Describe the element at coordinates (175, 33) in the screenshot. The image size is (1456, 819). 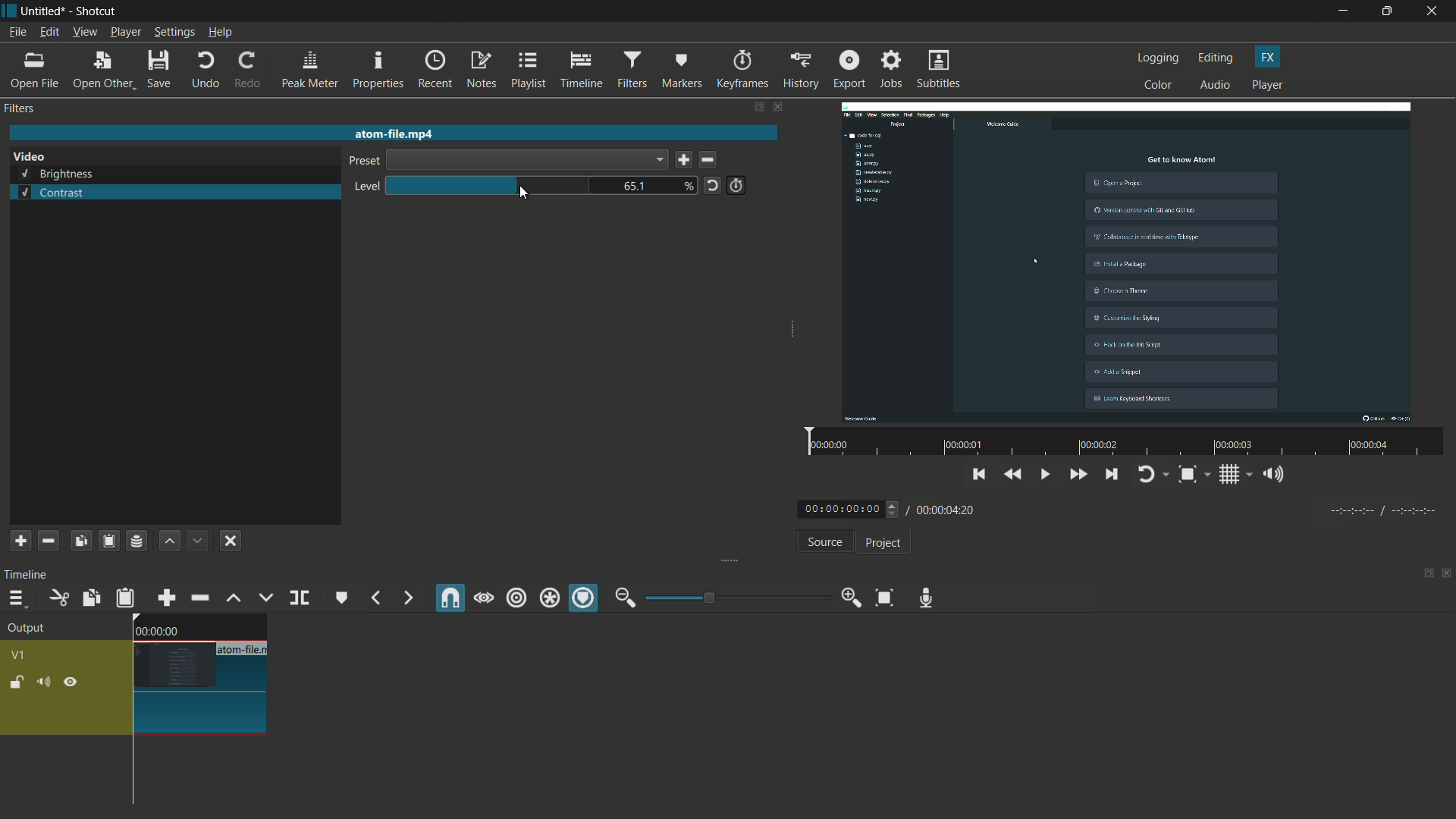
I see `settings menu` at that location.